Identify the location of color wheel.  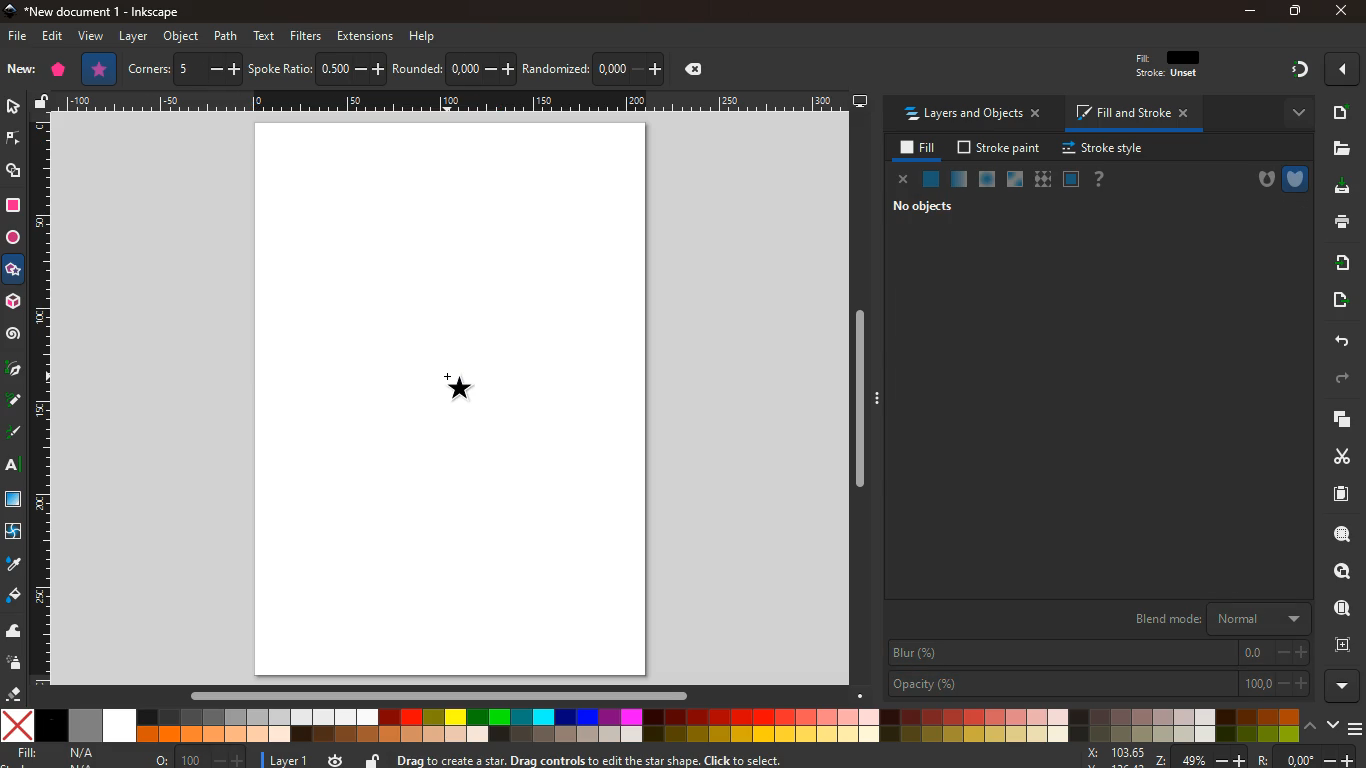
(958, 251).